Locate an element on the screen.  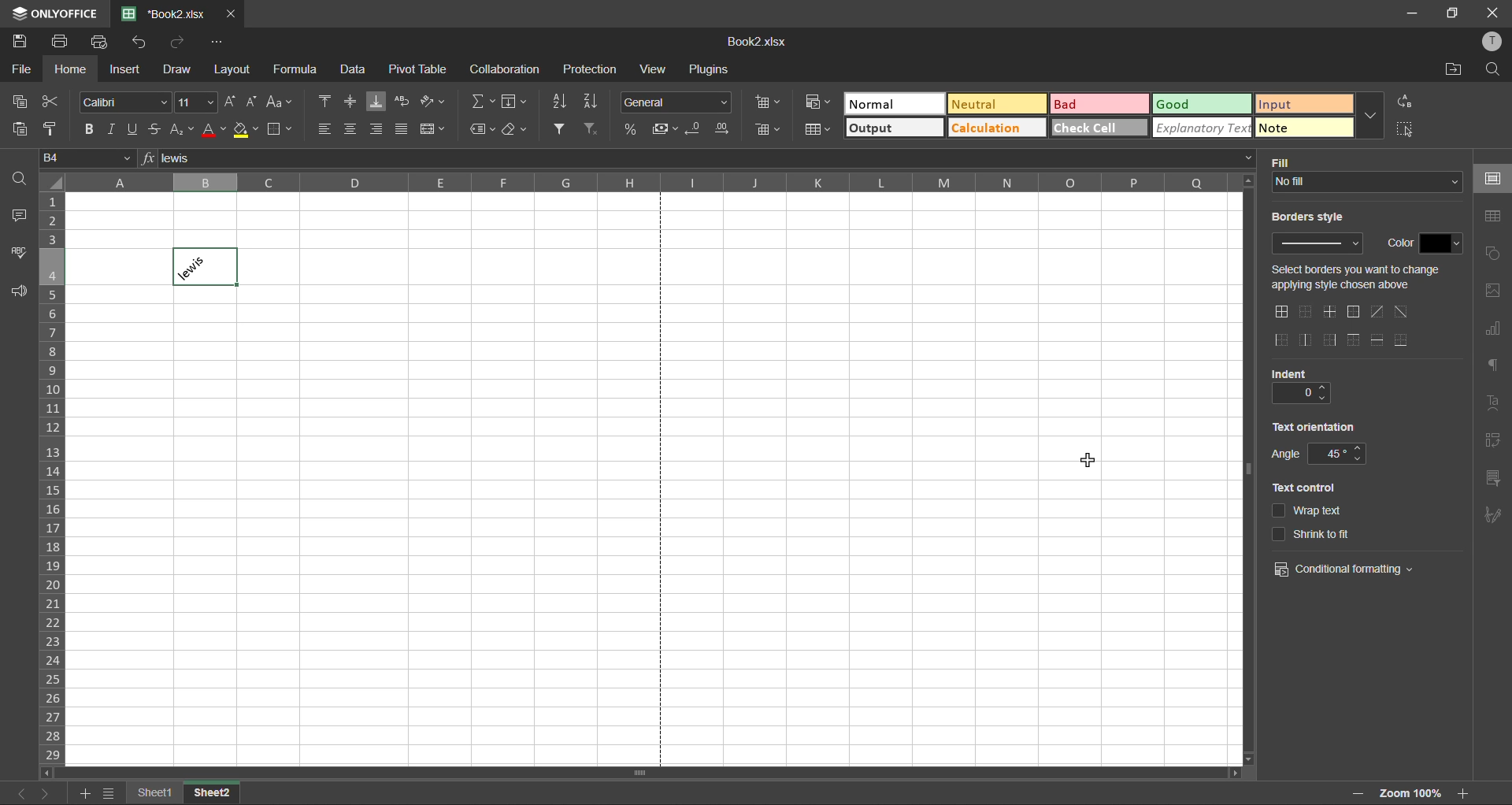
more options is located at coordinates (1369, 114).